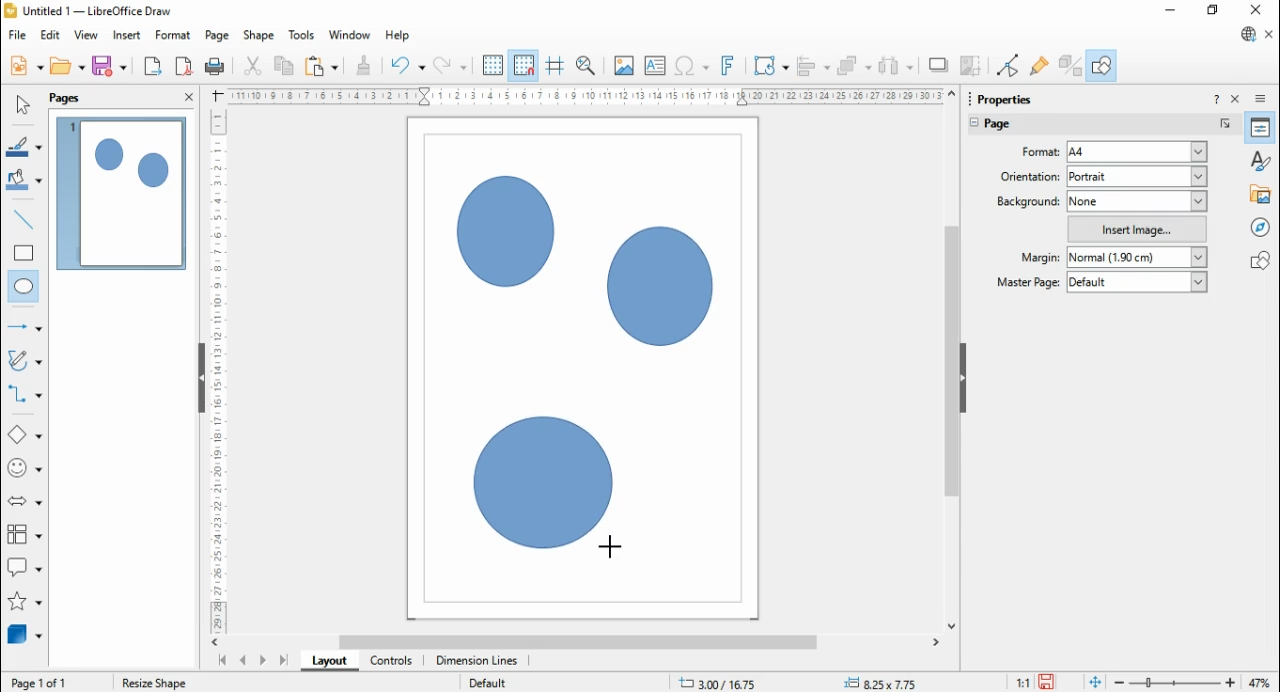  I want to click on dimension lines, so click(478, 661).